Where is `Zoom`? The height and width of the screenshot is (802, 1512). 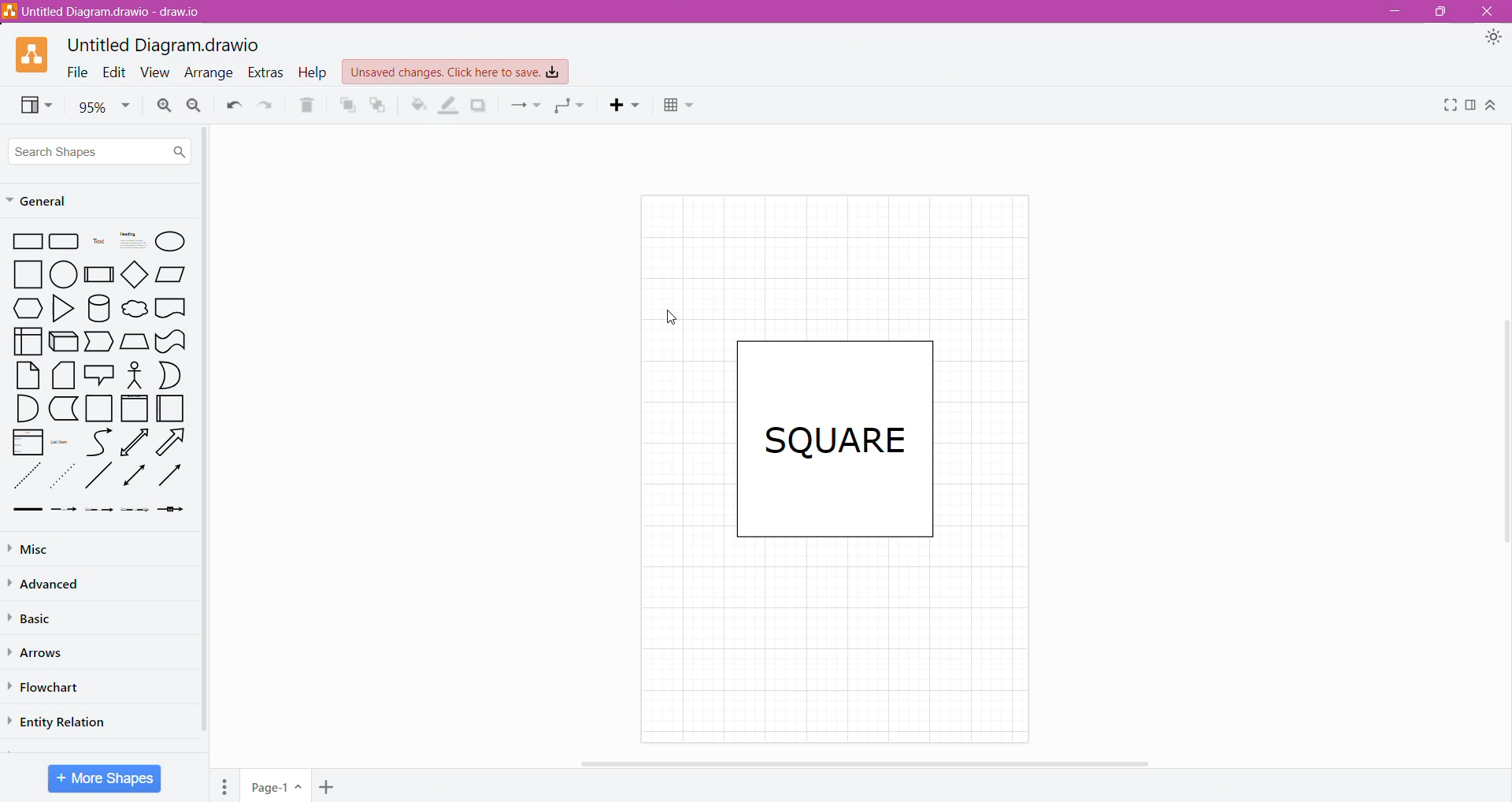 Zoom is located at coordinates (99, 107).